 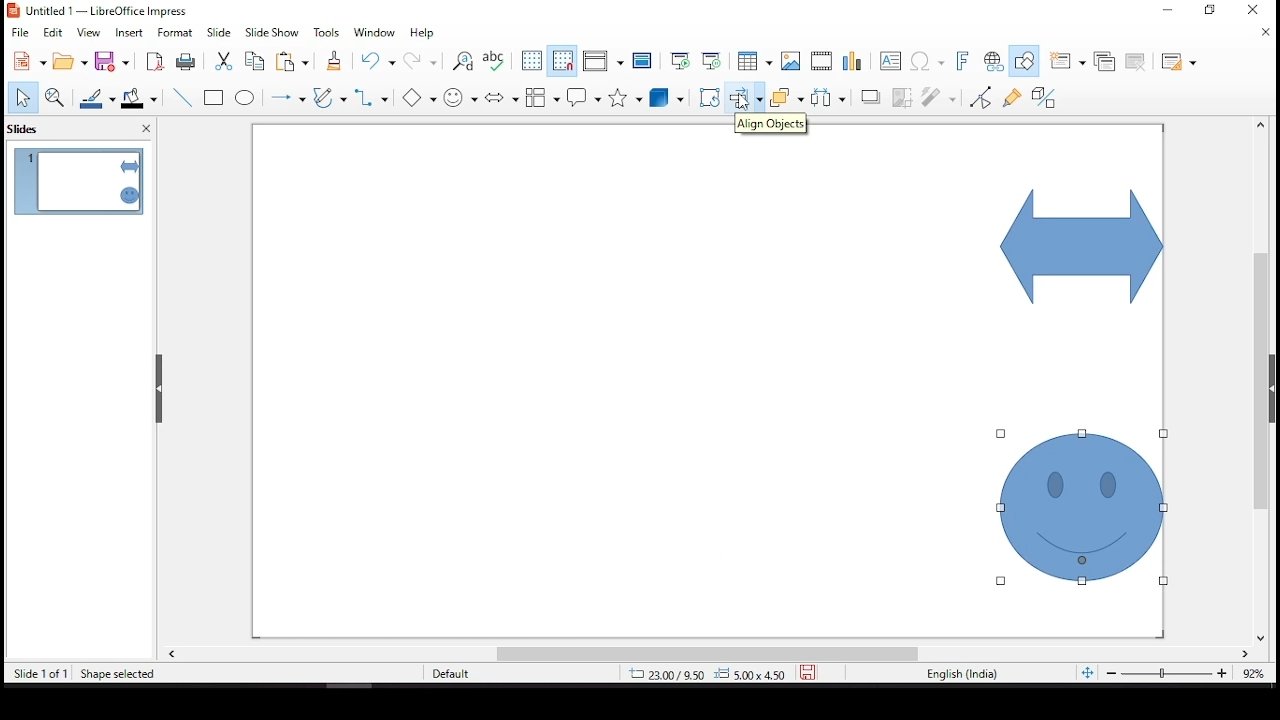 What do you see at coordinates (379, 62) in the screenshot?
I see `undo` at bounding box center [379, 62].